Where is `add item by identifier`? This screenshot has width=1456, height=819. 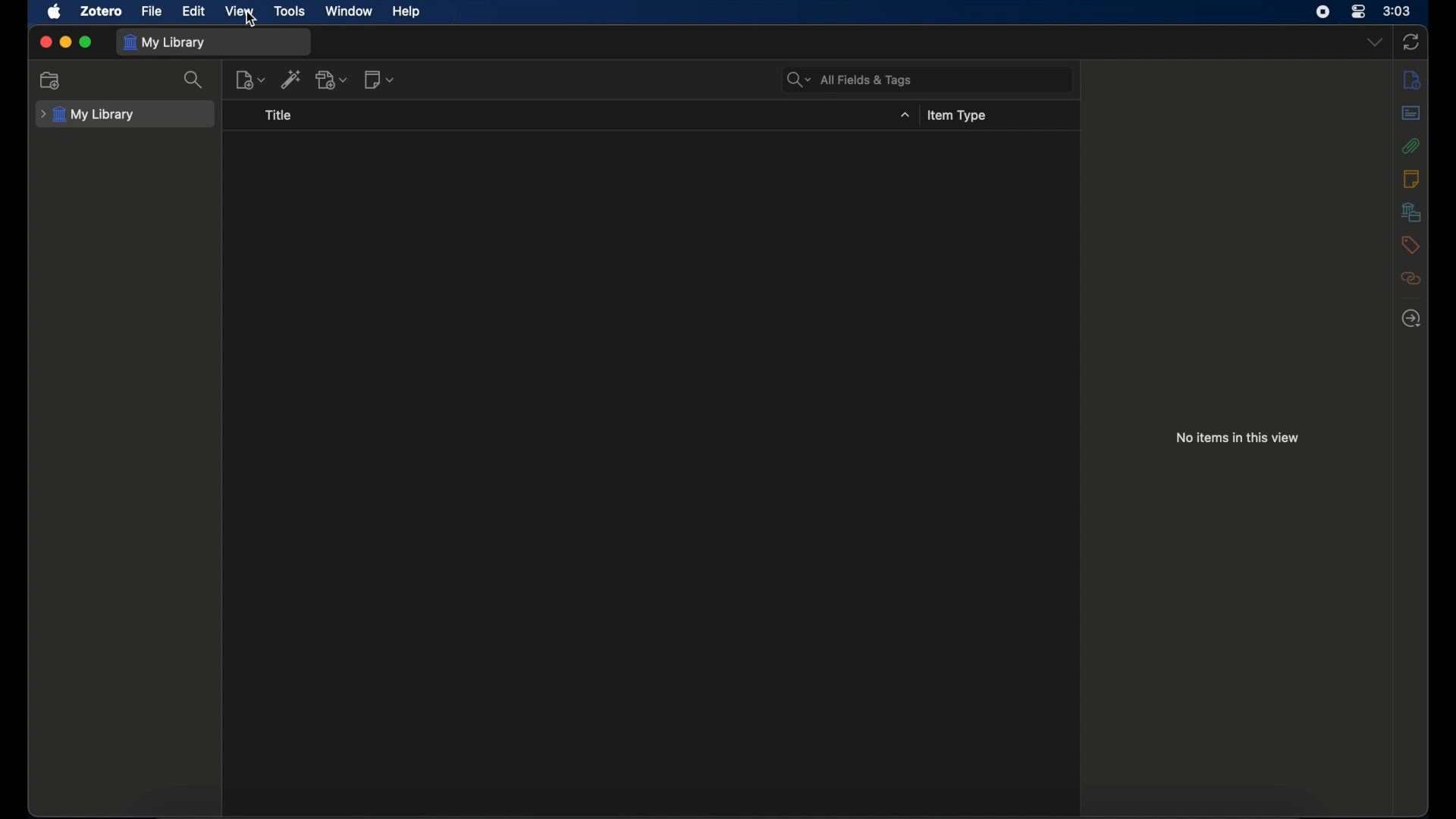
add item by identifier is located at coordinates (291, 81).